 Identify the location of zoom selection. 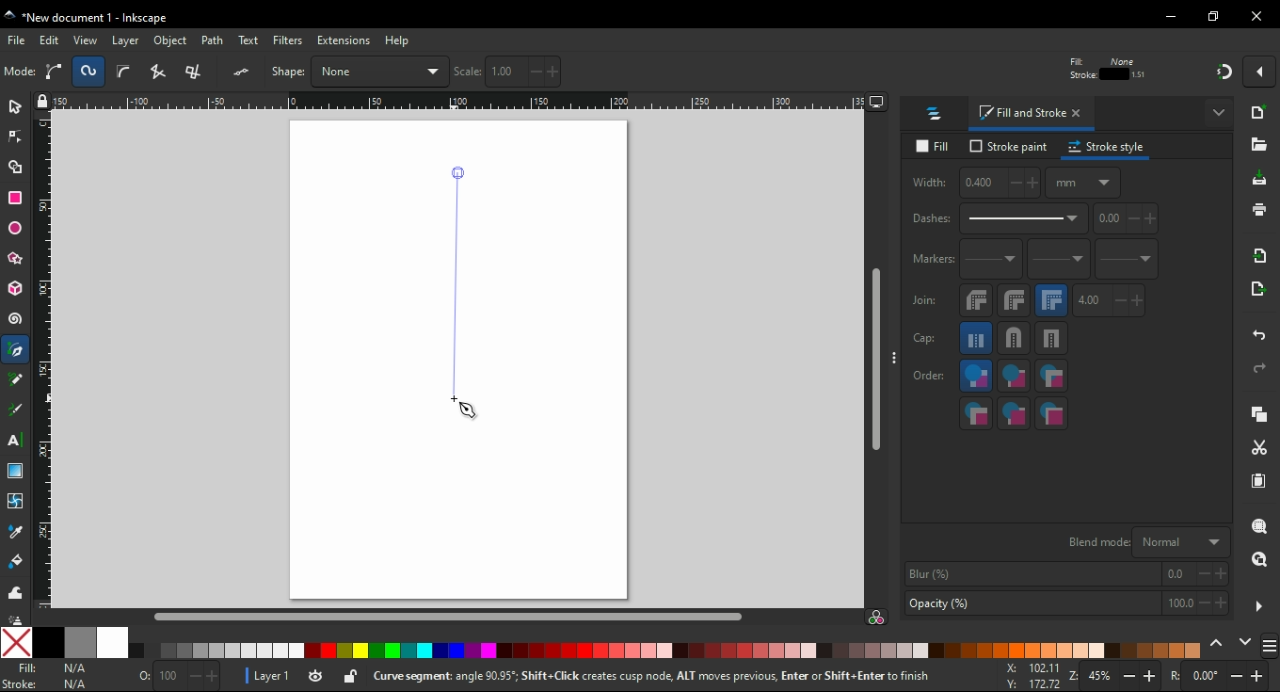
(1261, 527).